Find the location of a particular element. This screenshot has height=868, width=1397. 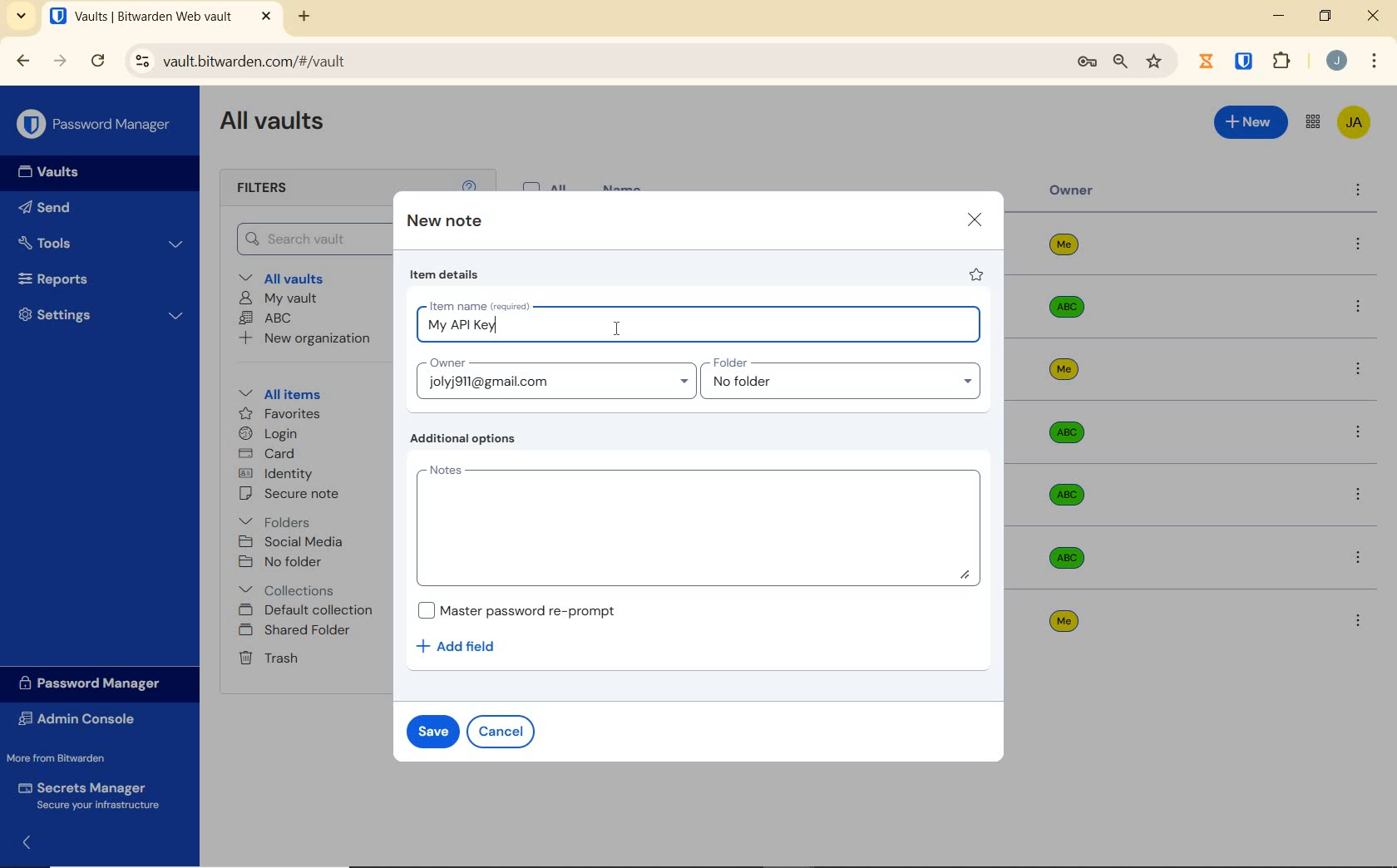

favorites is located at coordinates (277, 413).